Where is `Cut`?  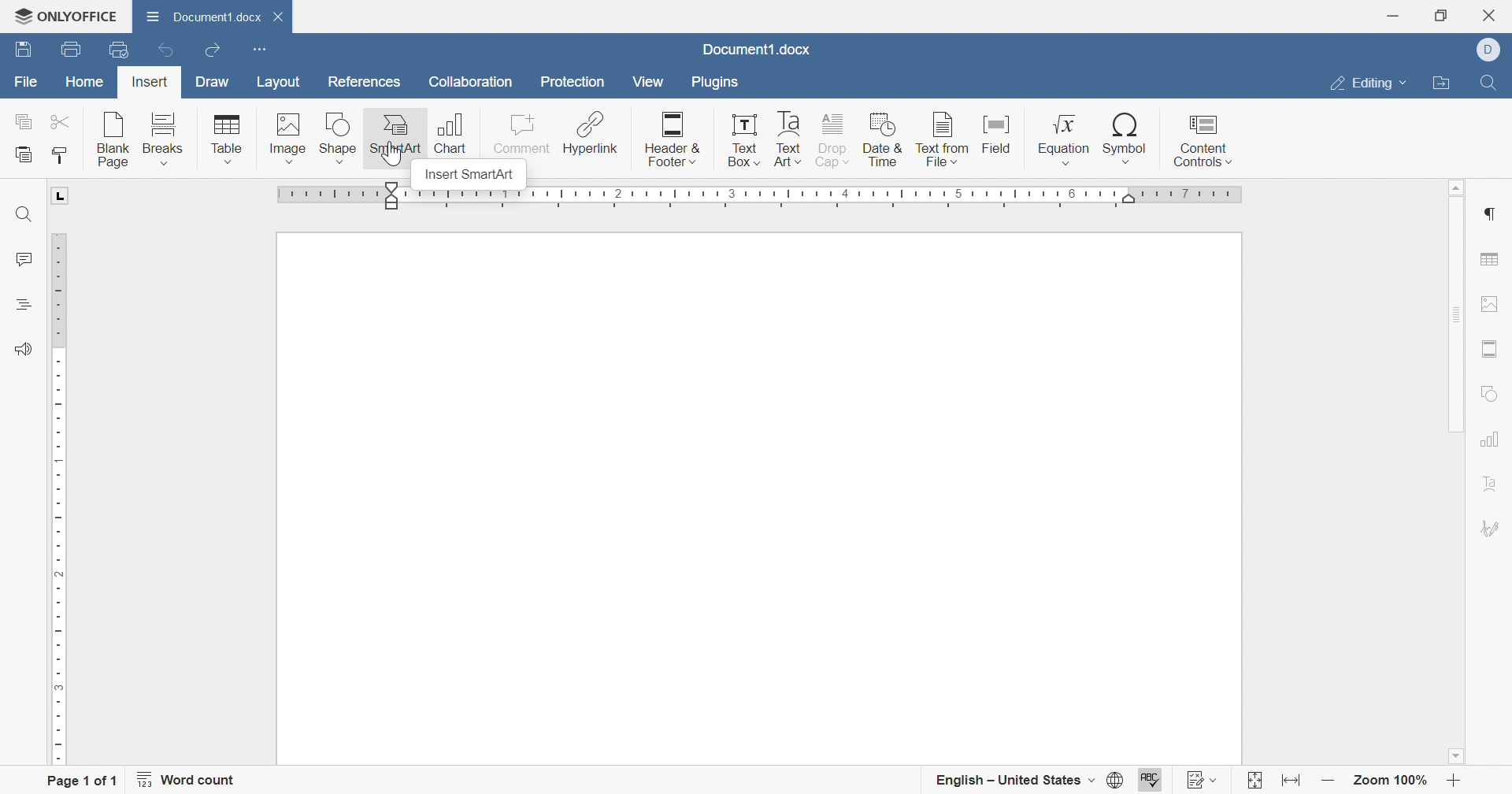
Cut is located at coordinates (63, 121).